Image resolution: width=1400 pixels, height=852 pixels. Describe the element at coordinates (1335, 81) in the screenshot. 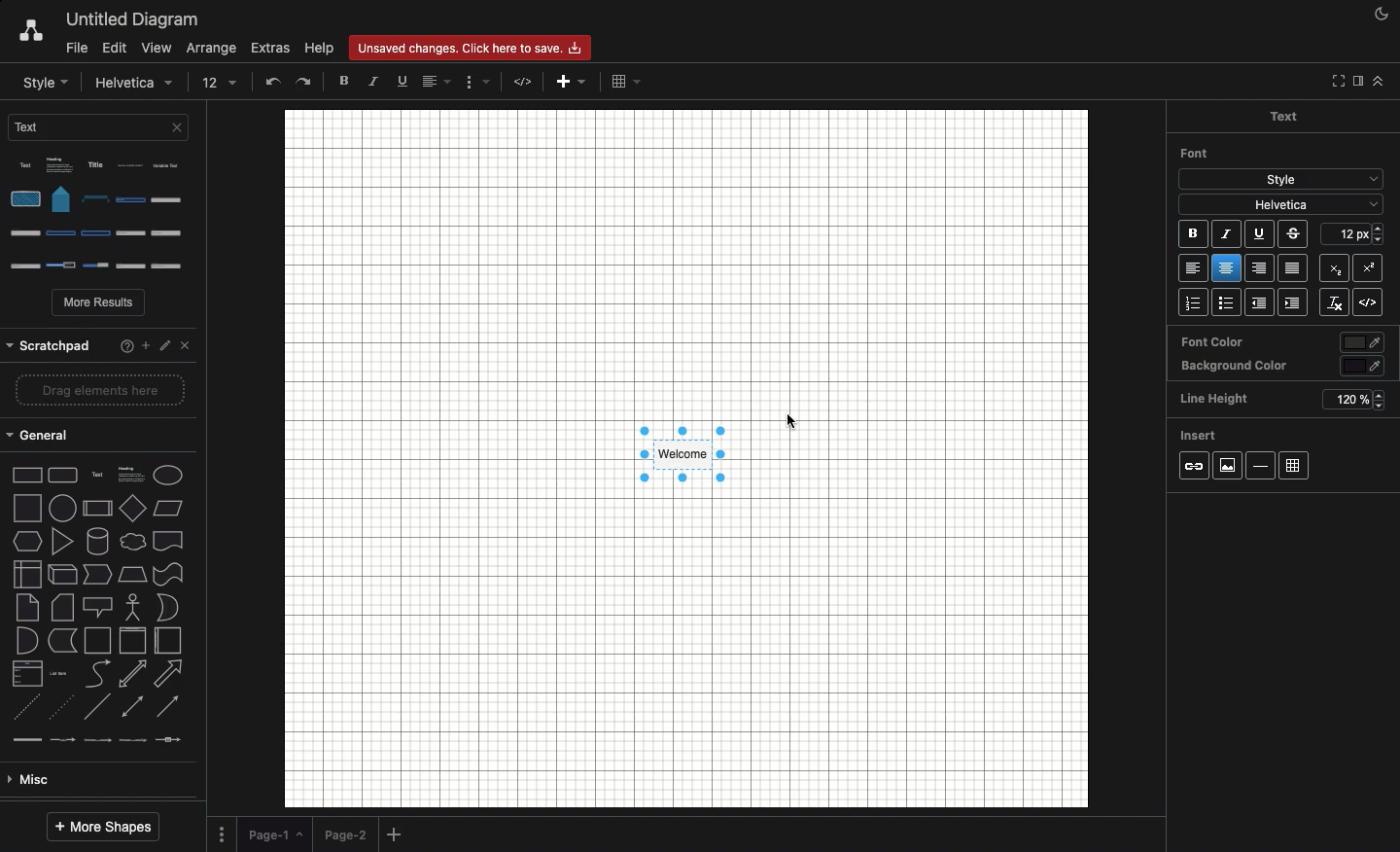

I see `Fullscreen` at that location.